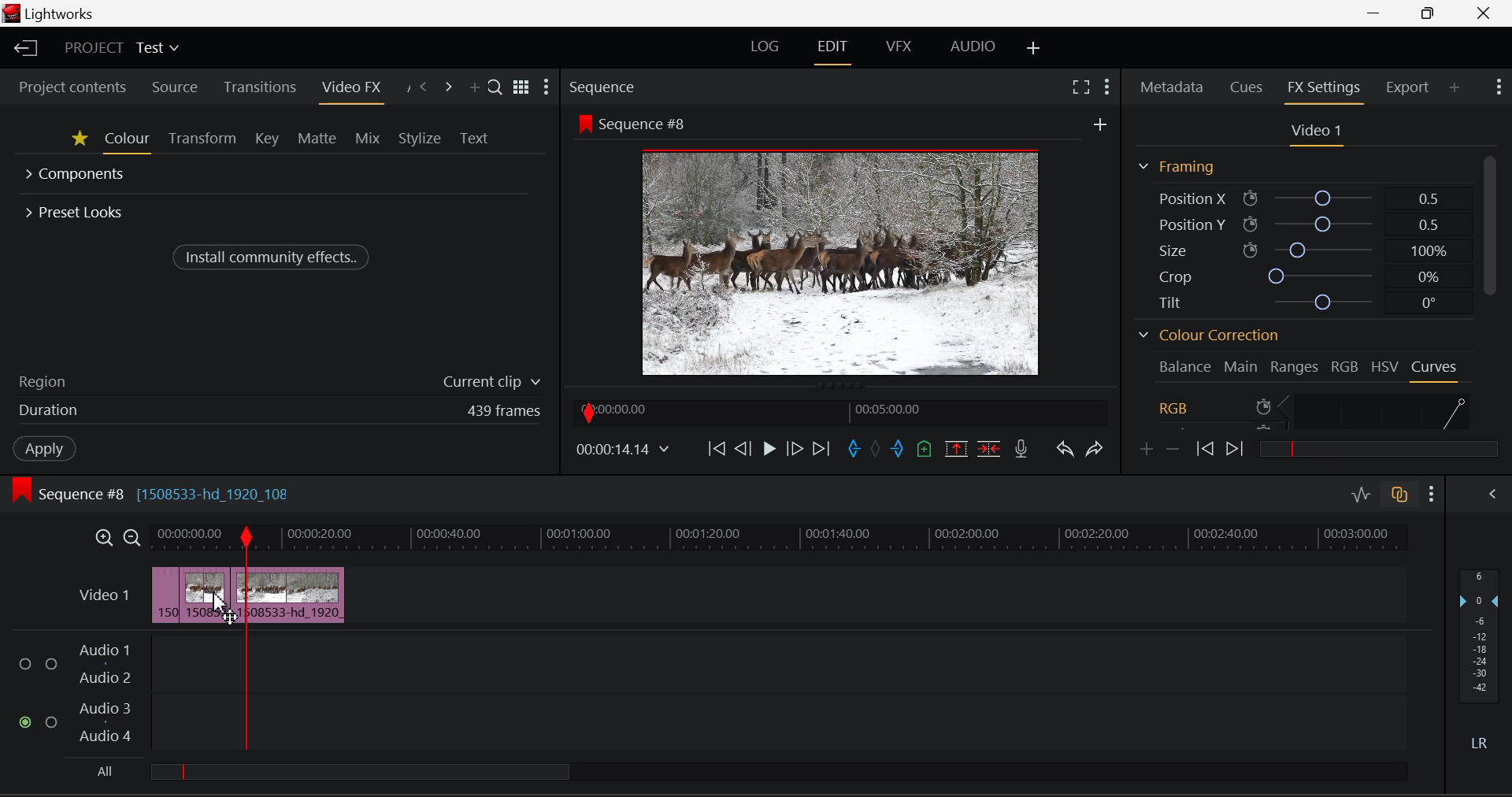 This screenshot has width=1512, height=797. I want to click on Timeline Zoom In, so click(103, 539).